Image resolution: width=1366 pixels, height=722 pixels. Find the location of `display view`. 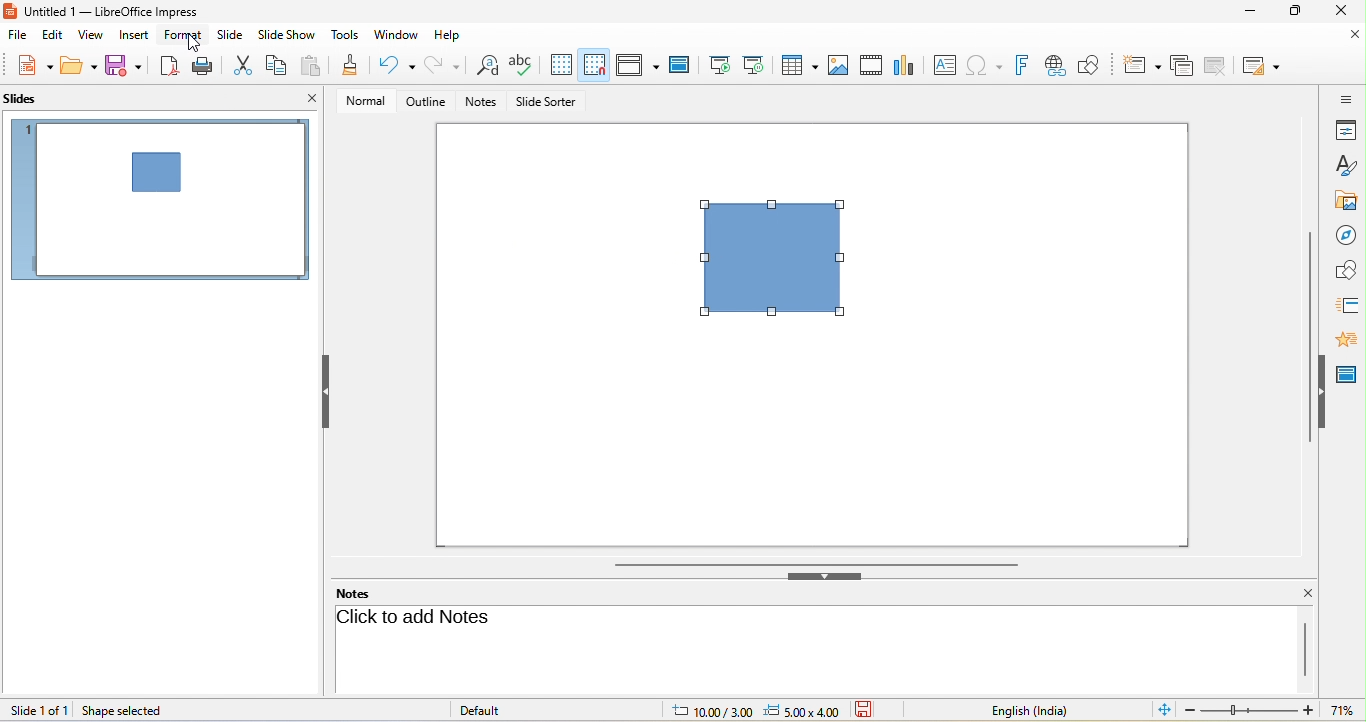

display view is located at coordinates (637, 64).